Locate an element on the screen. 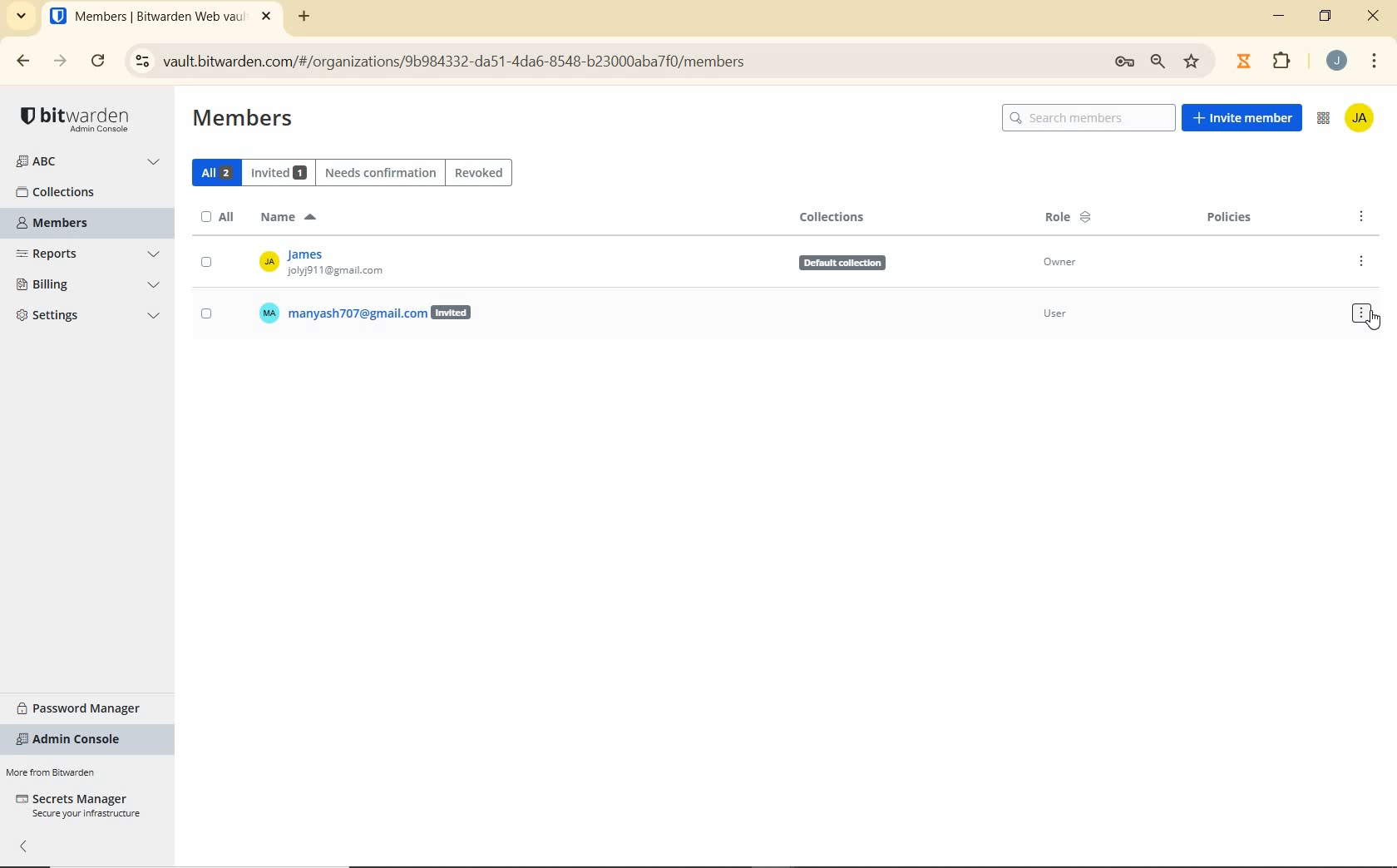  NEEDS CONFIRMATION is located at coordinates (381, 171).